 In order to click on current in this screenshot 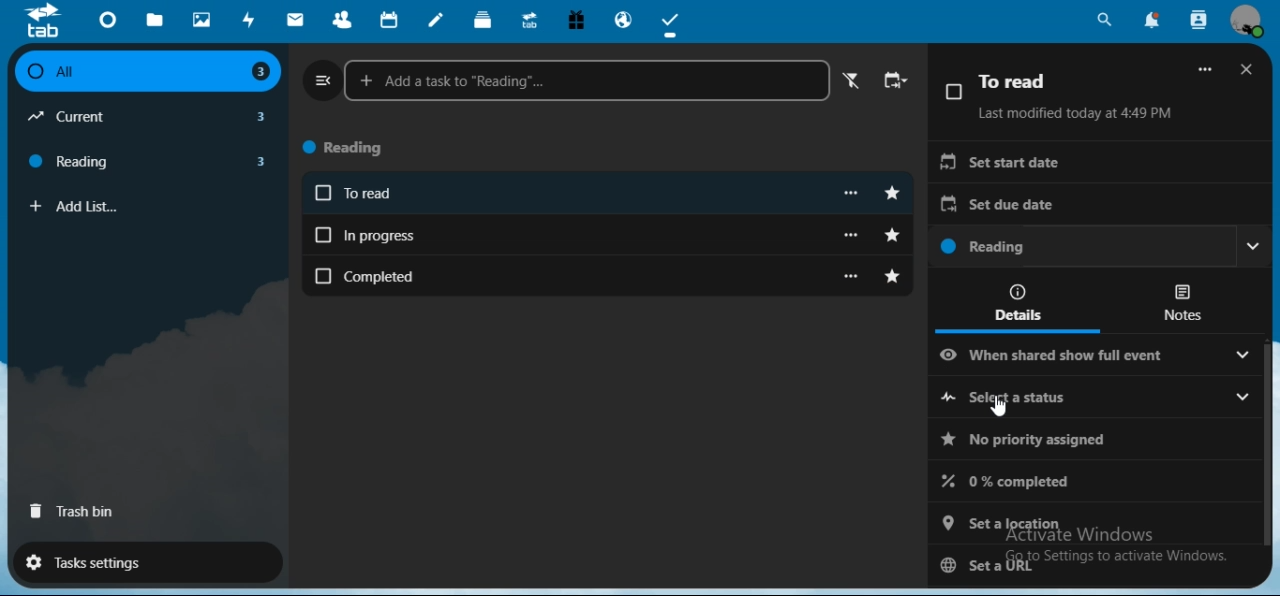, I will do `click(153, 117)`.